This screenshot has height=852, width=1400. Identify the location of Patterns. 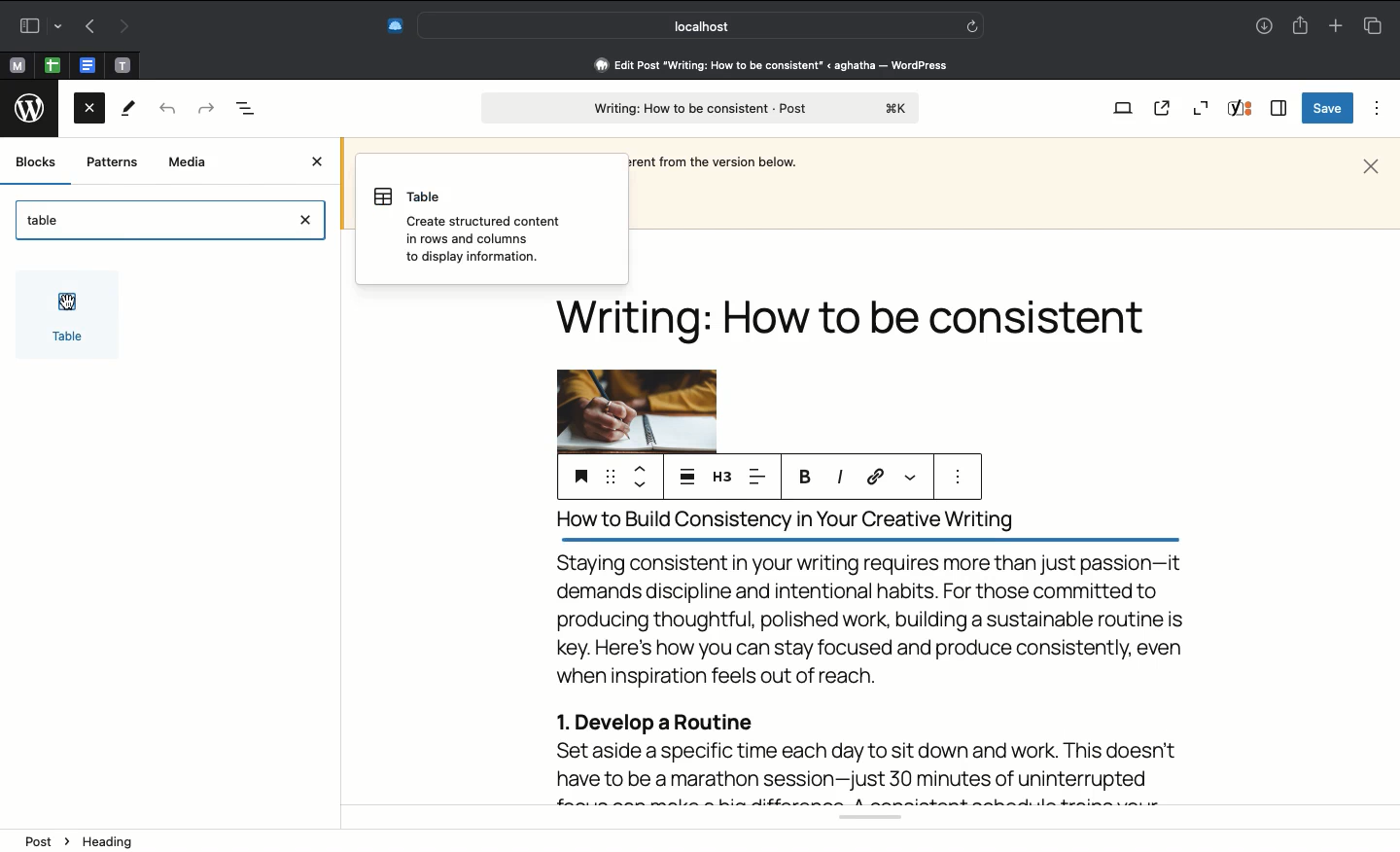
(112, 162).